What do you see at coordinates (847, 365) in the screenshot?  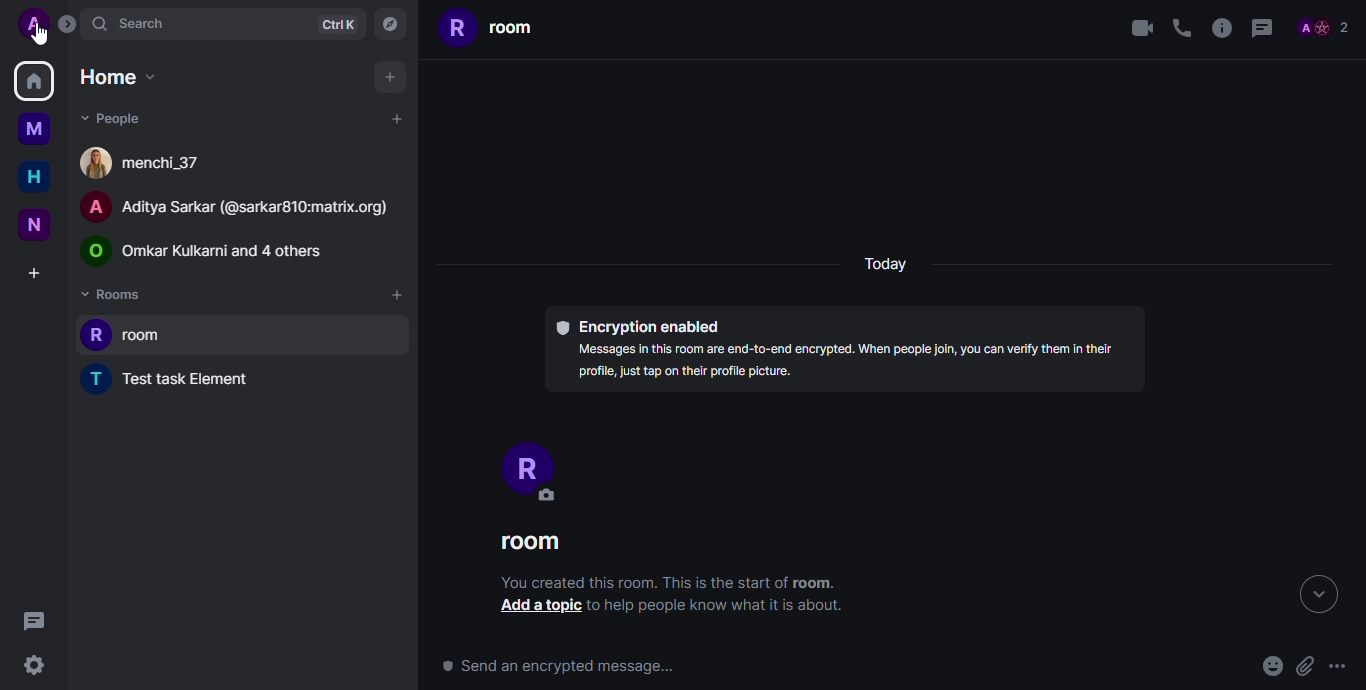 I see `info` at bounding box center [847, 365].